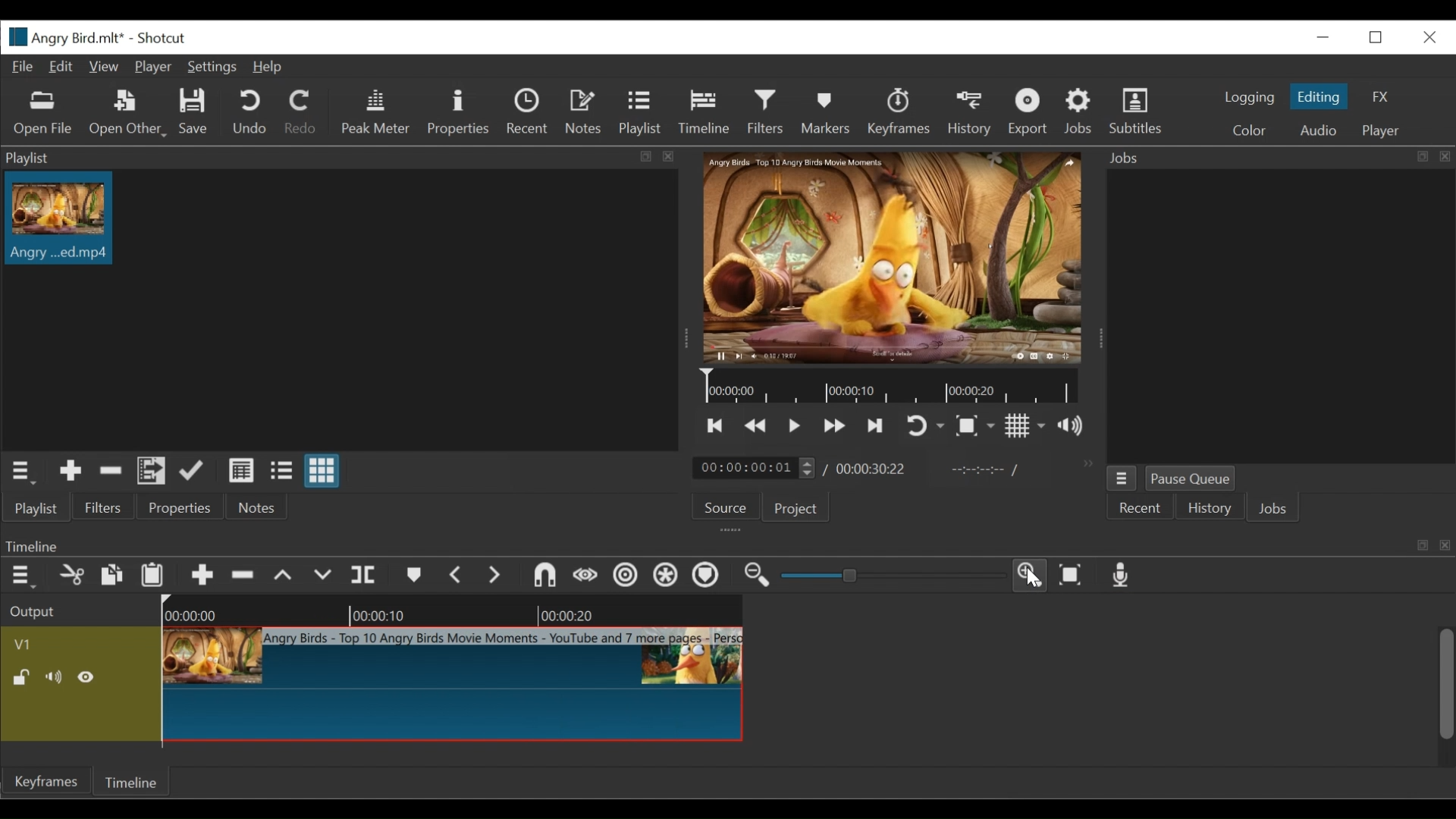  Describe the element at coordinates (706, 113) in the screenshot. I see `Timeline` at that location.